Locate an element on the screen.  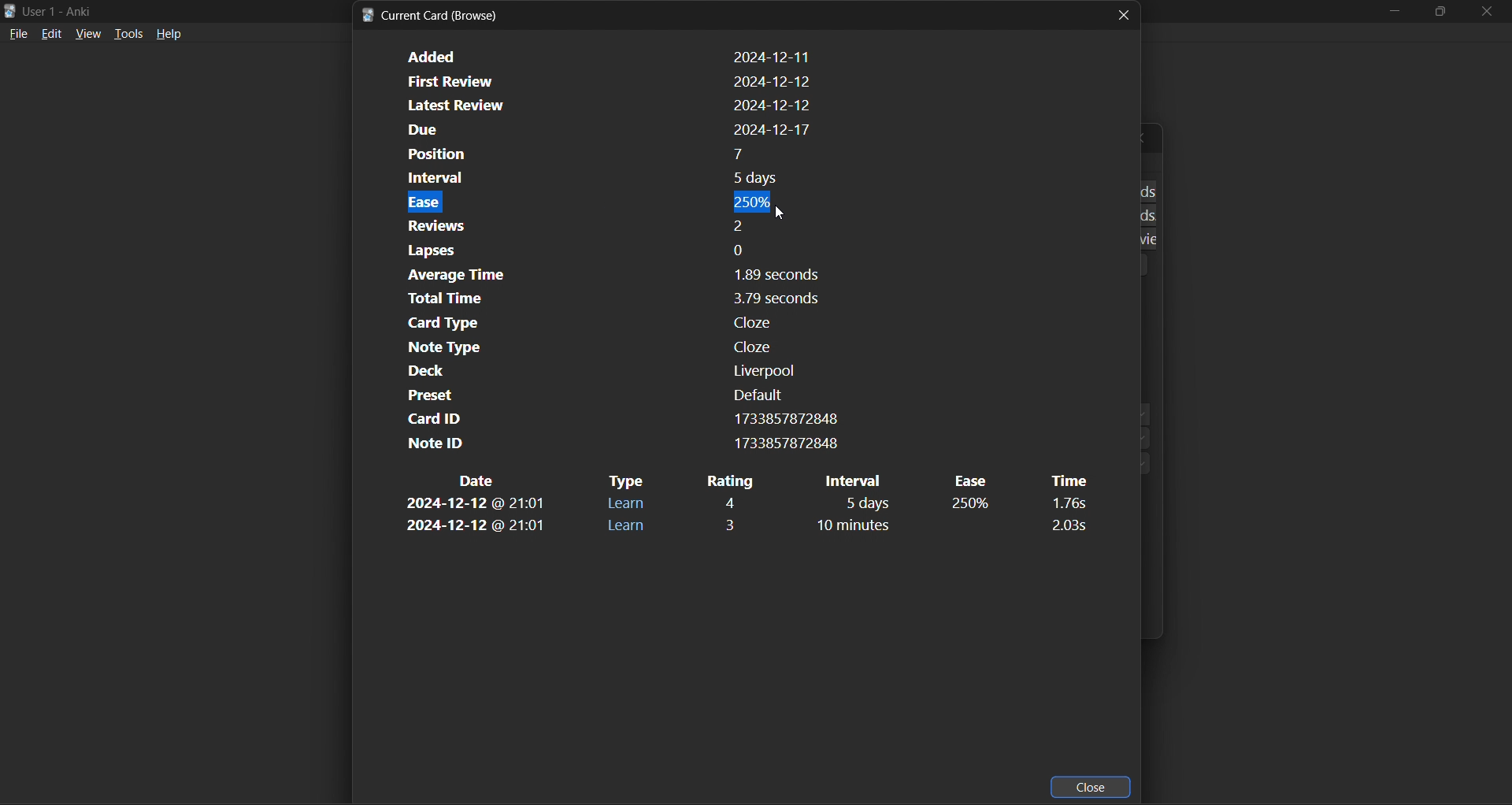
file is located at coordinates (19, 35).